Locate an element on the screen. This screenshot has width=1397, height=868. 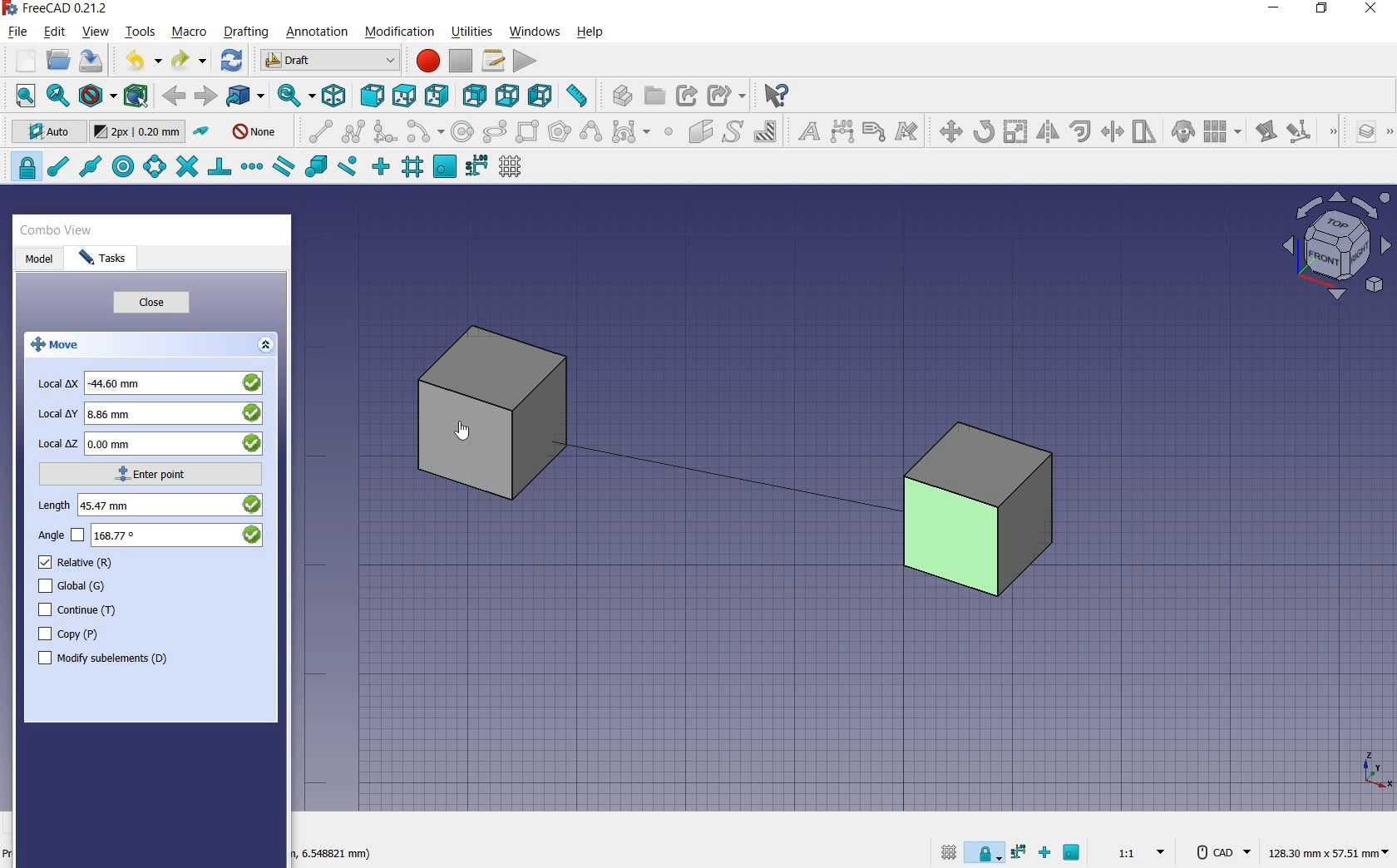
snap angle is located at coordinates (154, 167).